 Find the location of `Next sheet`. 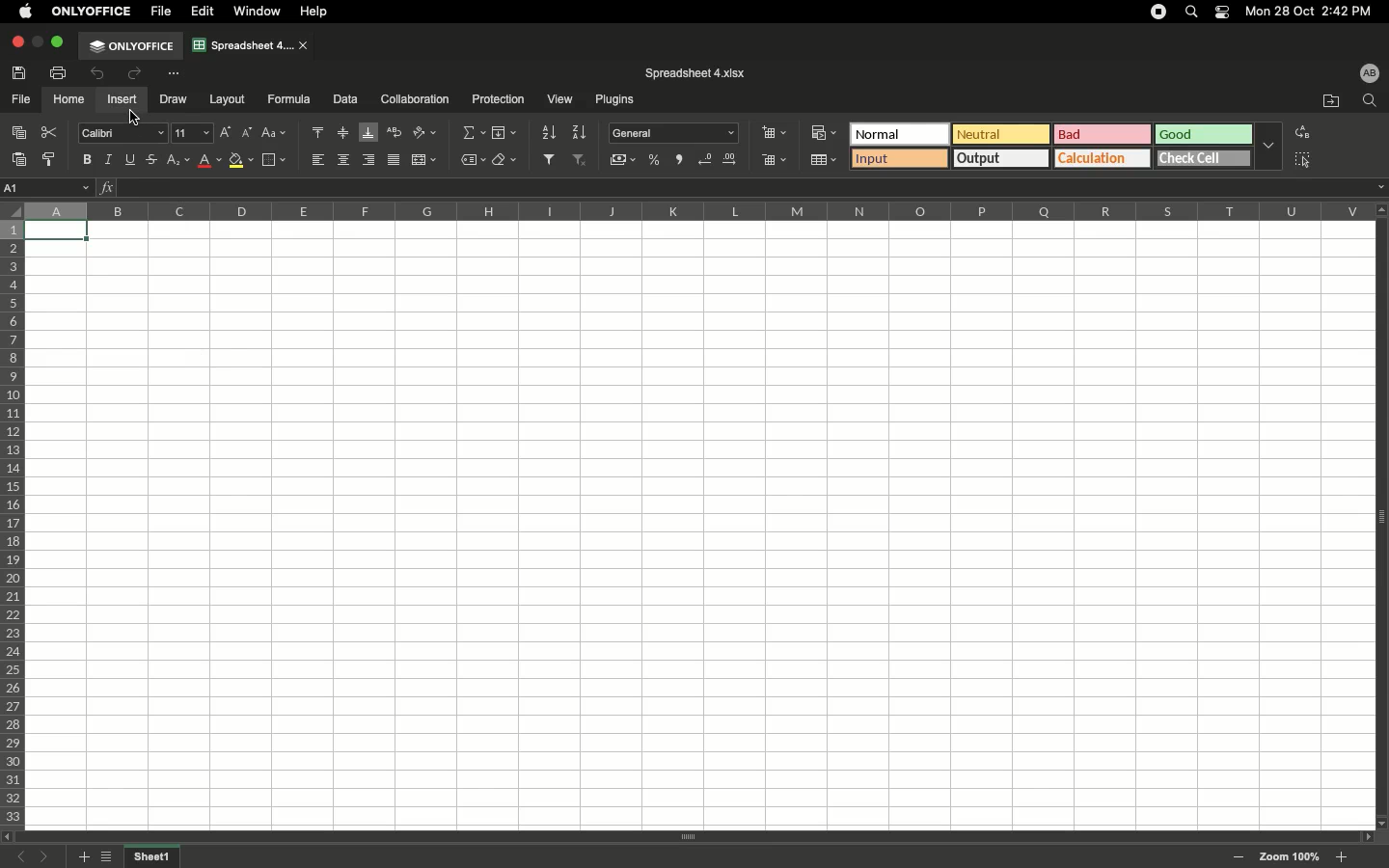

Next sheet is located at coordinates (49, 857).